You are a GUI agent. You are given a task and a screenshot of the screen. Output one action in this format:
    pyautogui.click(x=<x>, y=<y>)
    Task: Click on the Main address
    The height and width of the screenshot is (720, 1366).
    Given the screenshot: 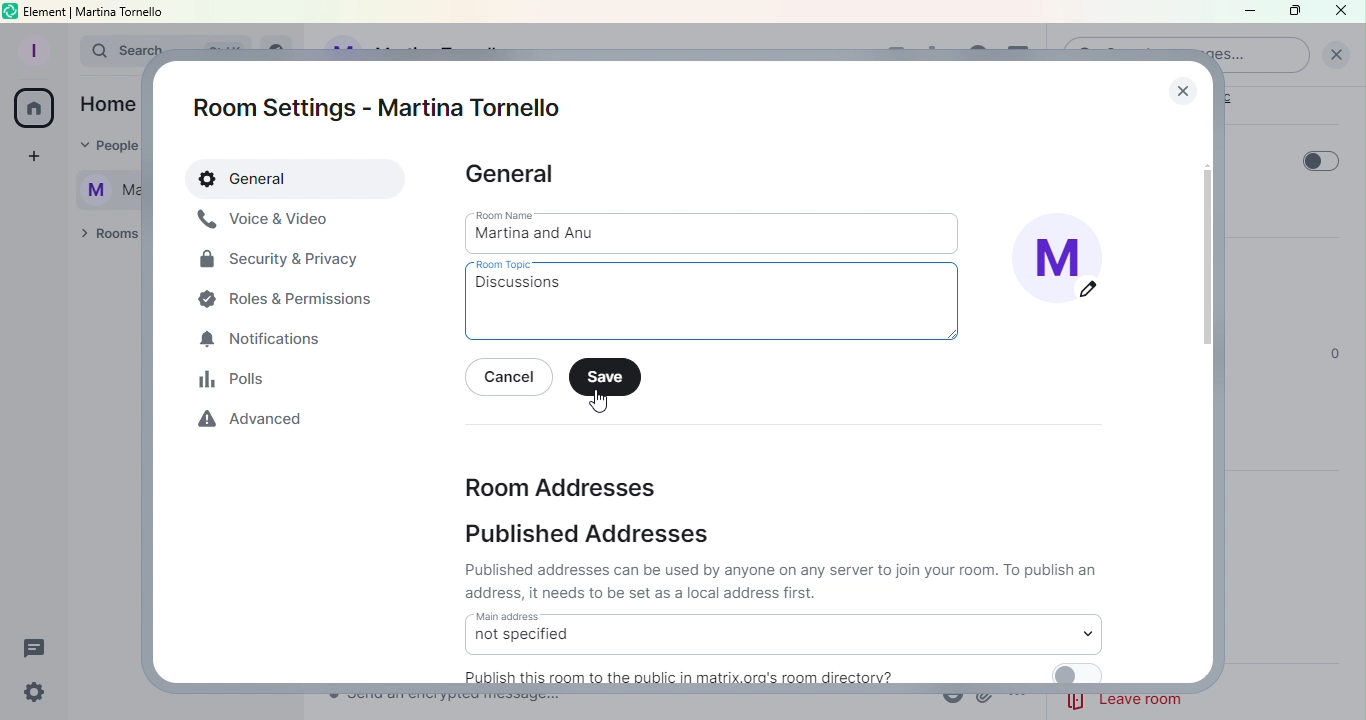 What is the action you would take?
    pyautogui.click(x=782, y=633)
    